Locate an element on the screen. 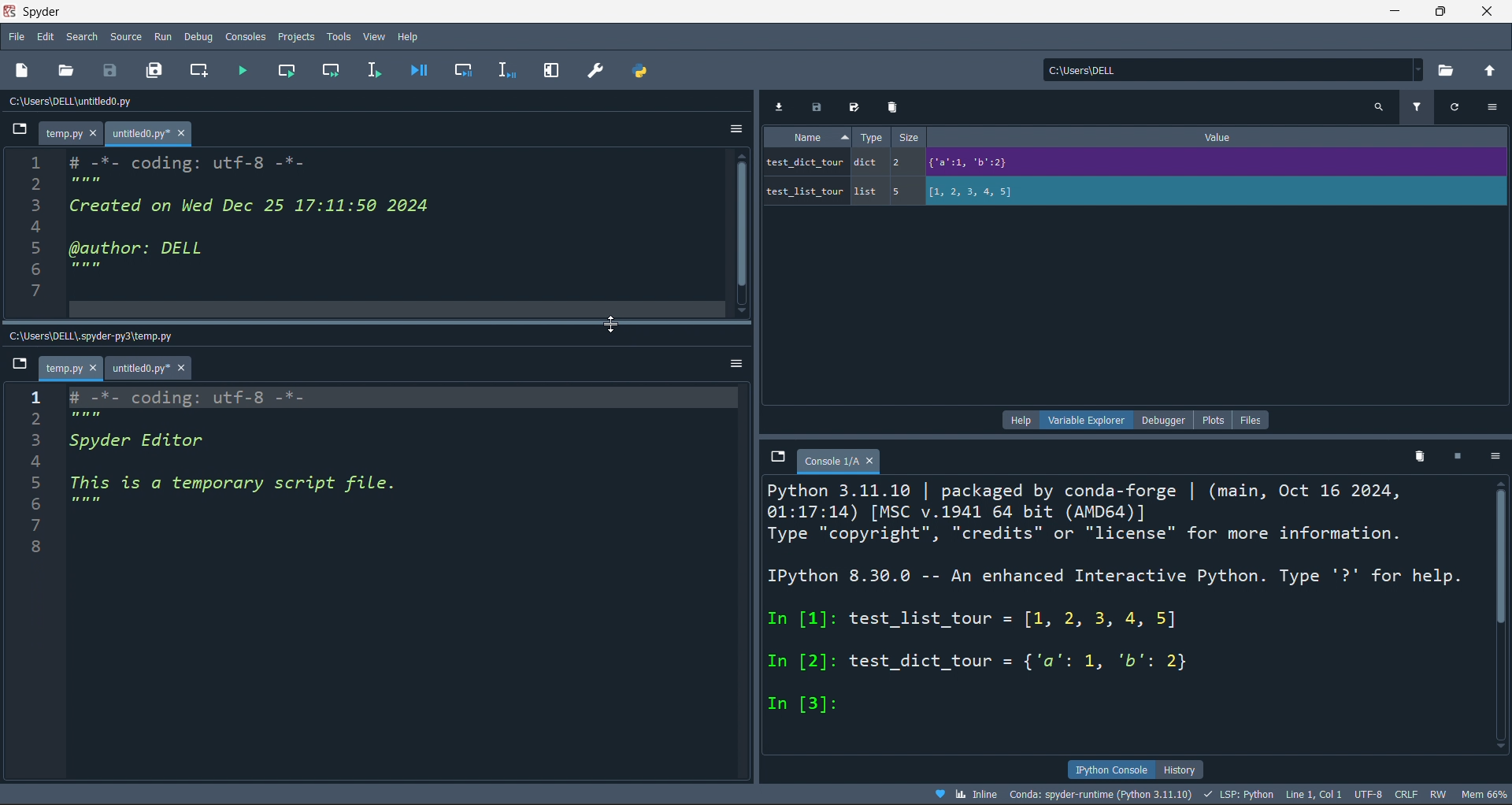 Image resolution: width=1512 pixels, height=805 pixels. 8 is located at coordinates (50, 542).